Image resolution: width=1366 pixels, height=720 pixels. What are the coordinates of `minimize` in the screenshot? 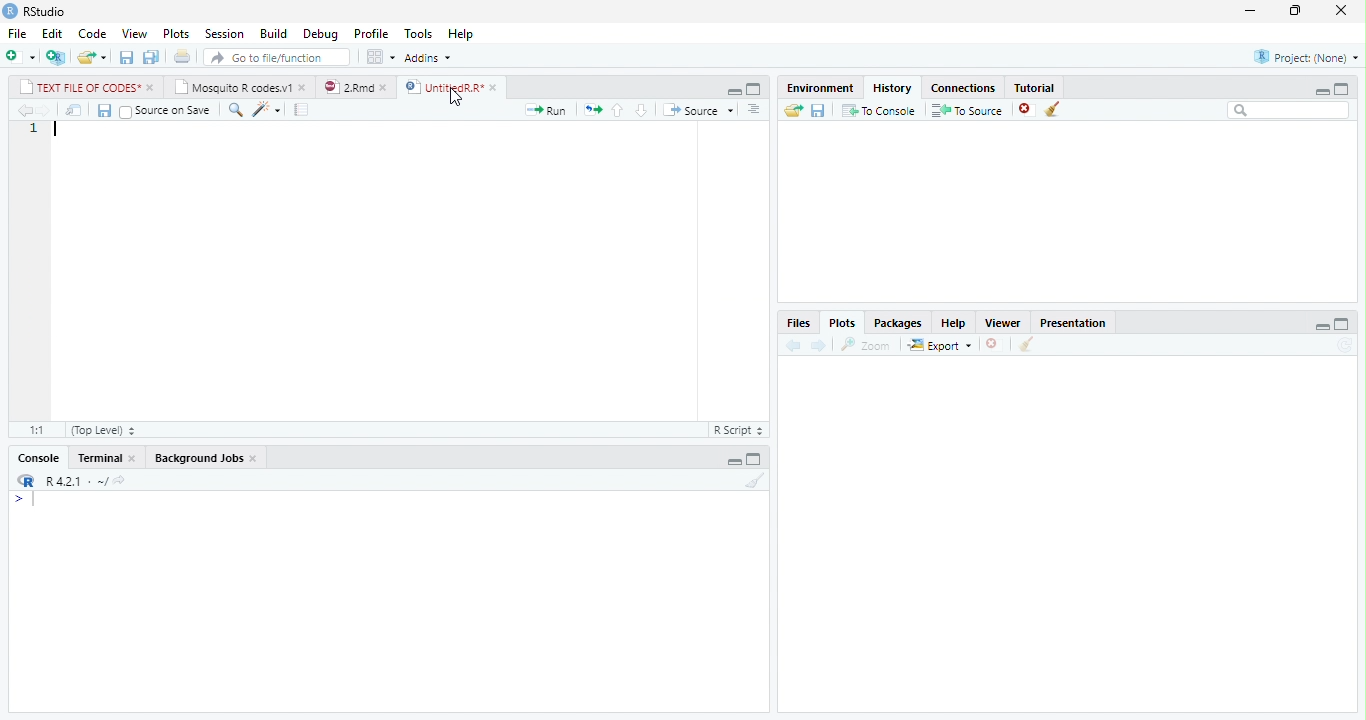 It's located at (1321, 91).